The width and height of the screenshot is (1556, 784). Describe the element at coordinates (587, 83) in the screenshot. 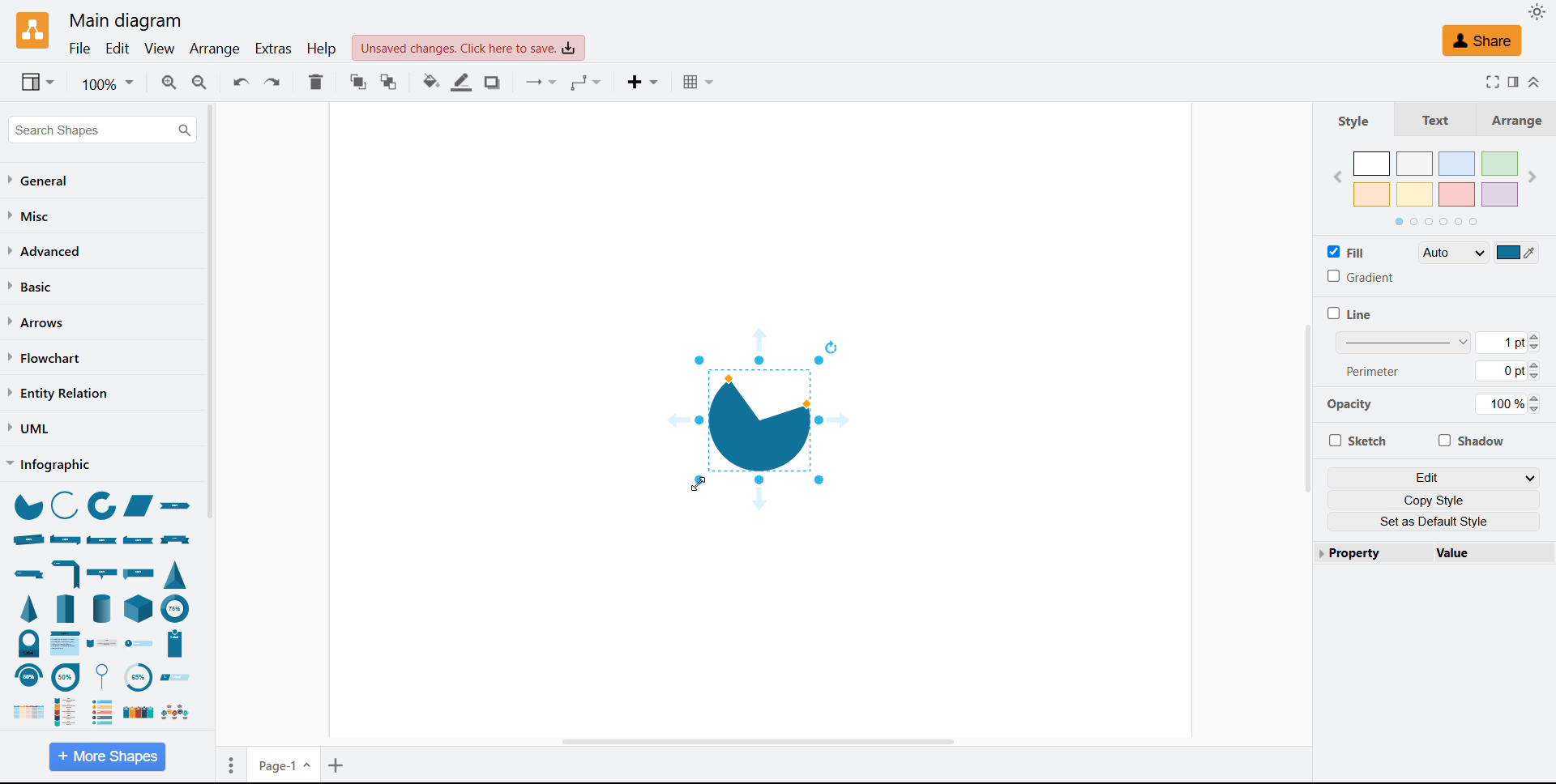

I see `Waypoints ` at that location.